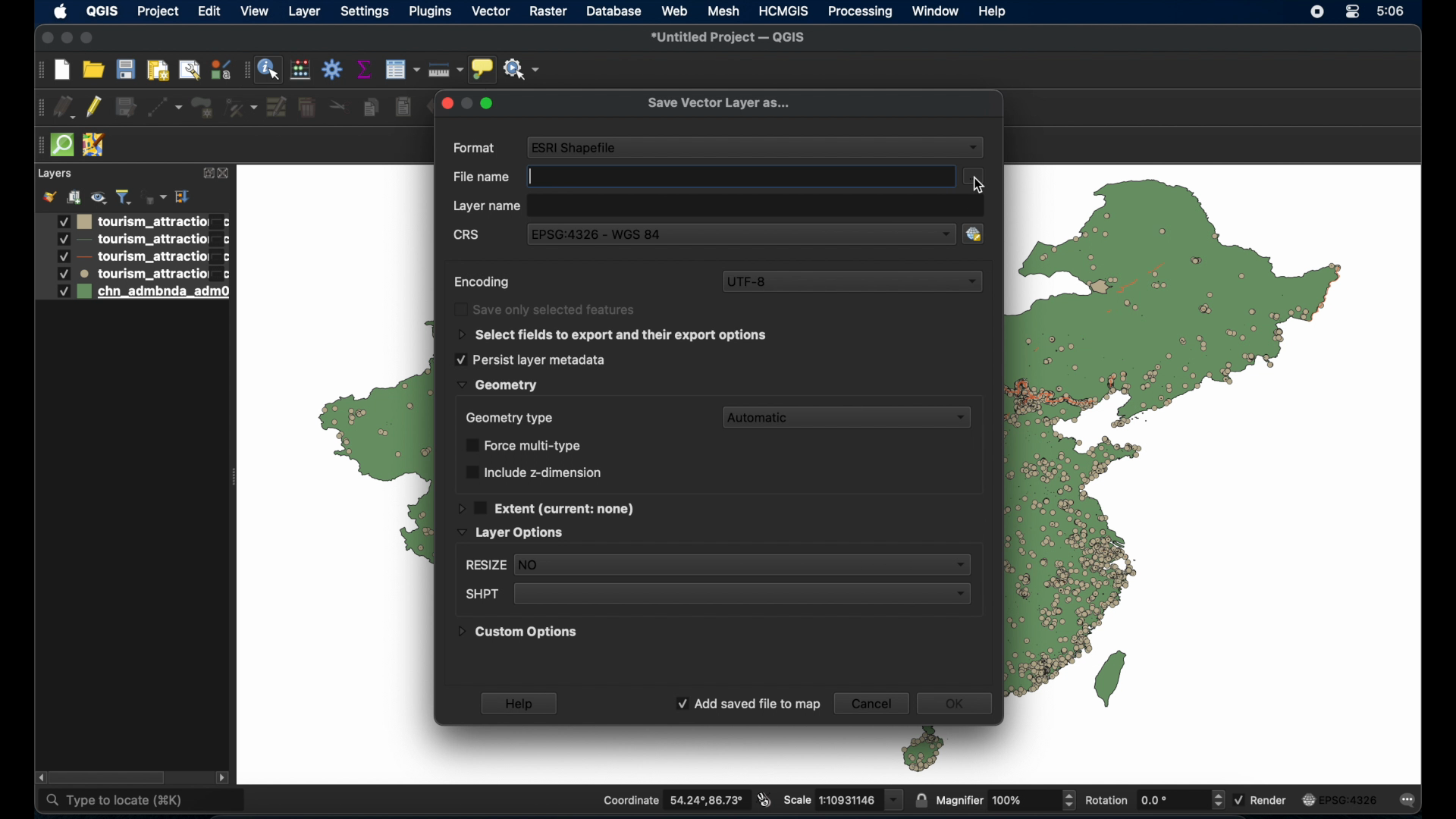 This screenshot has width=1456, height=819. I want to click on open project, so click(93, 68).